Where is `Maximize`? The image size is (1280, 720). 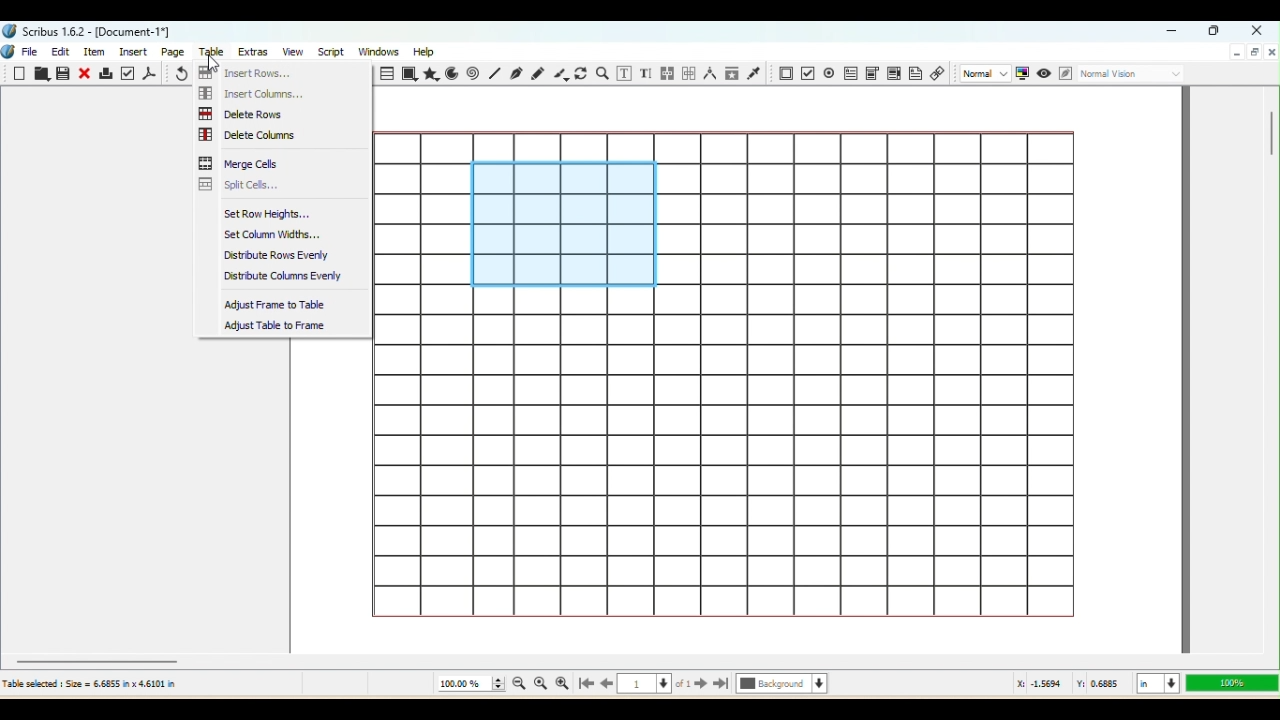 Maximize is located at coordinates (1254, 53).